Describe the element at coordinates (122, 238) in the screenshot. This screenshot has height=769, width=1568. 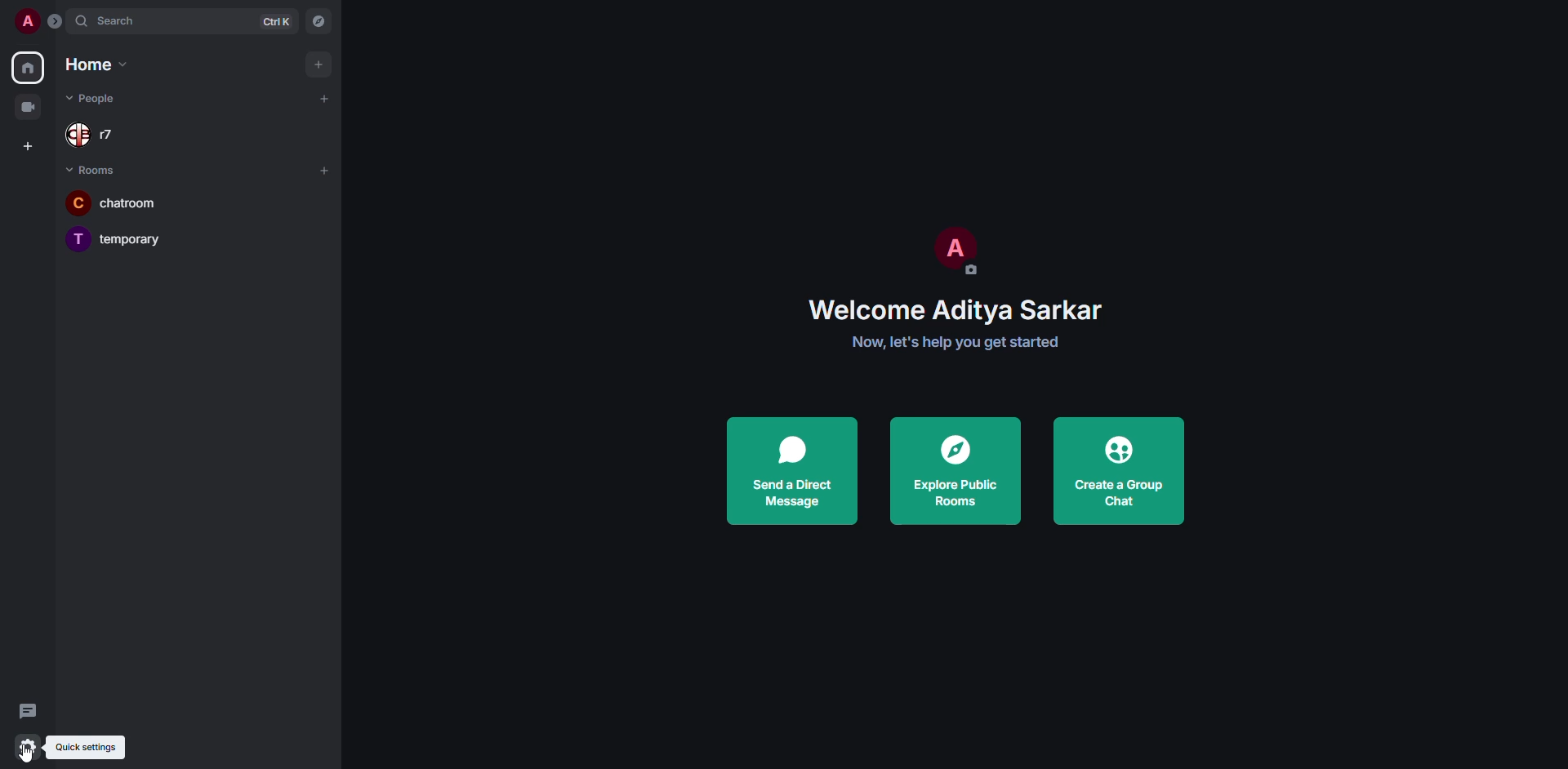
I see `temporary` at that location.